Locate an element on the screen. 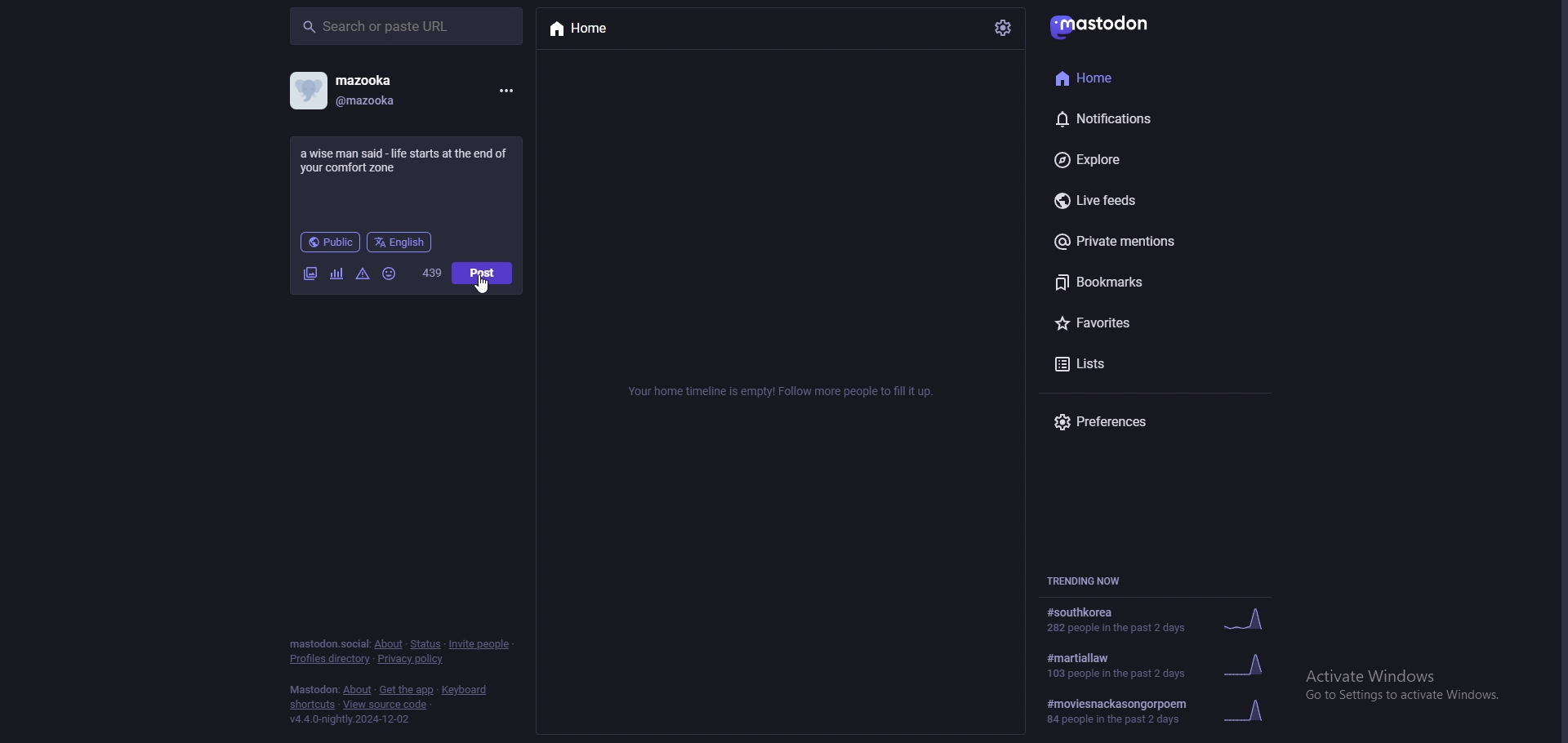 This screenshot has height=743, width=1568. lists is located at coordinates (1139, 362).